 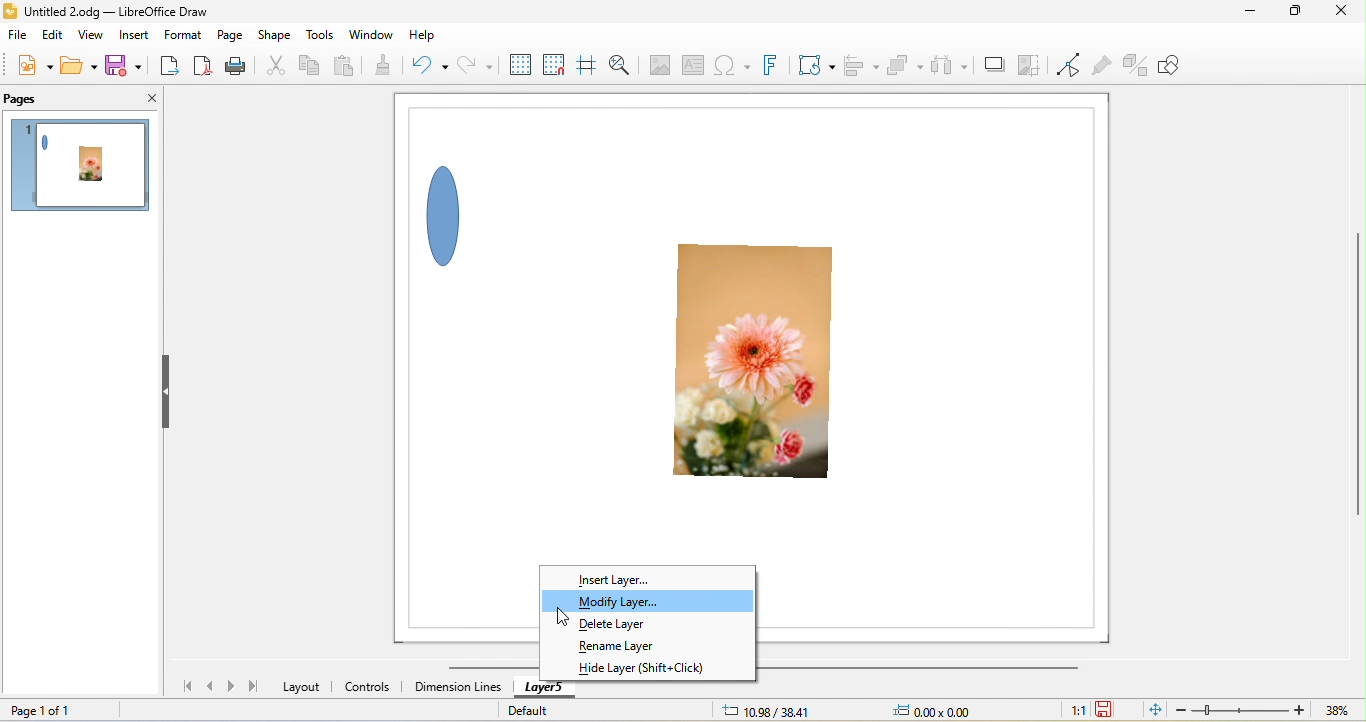 I want to click on align object, so click(x=857, y=63).